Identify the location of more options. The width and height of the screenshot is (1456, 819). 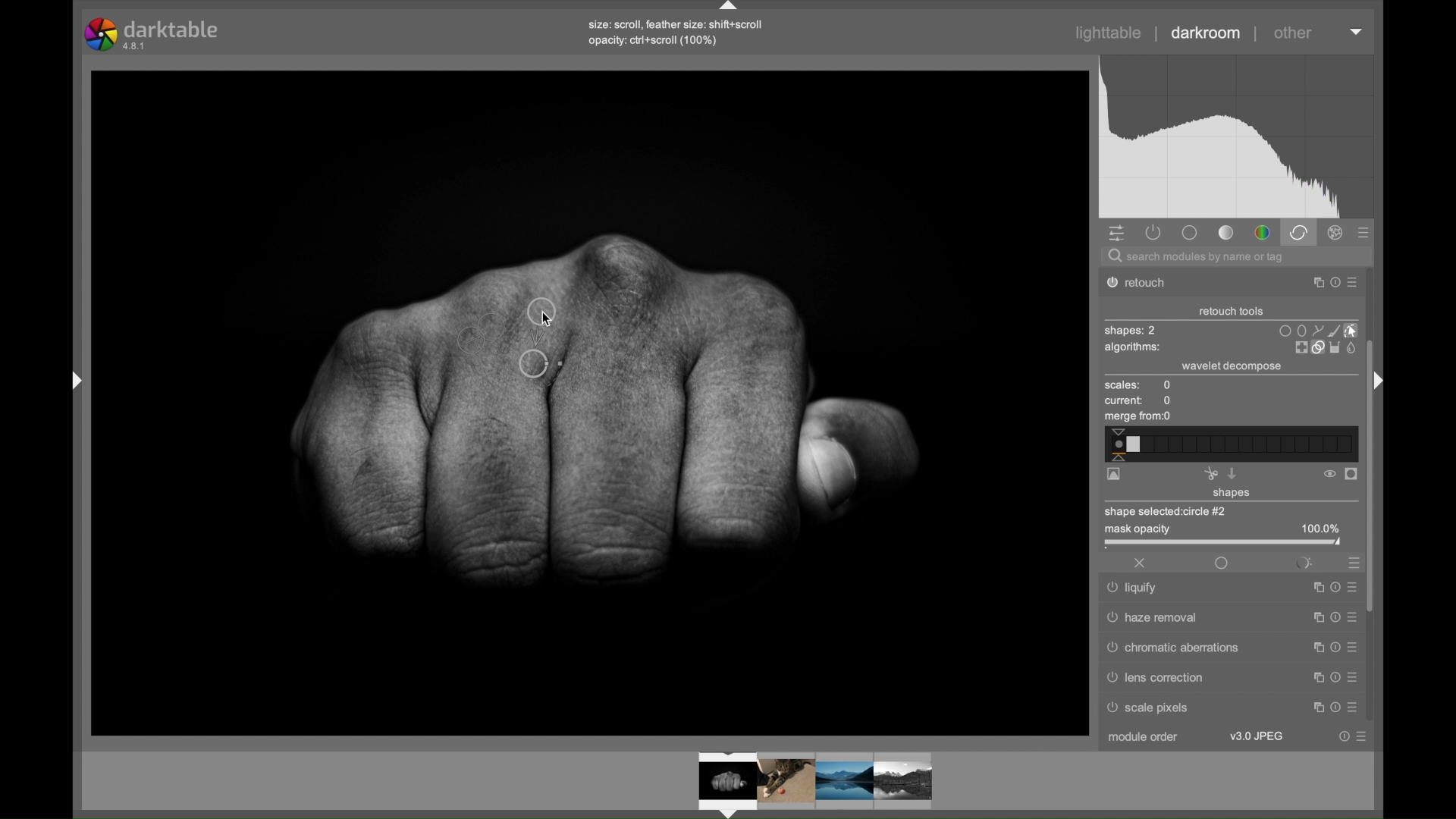
(1351, 617).